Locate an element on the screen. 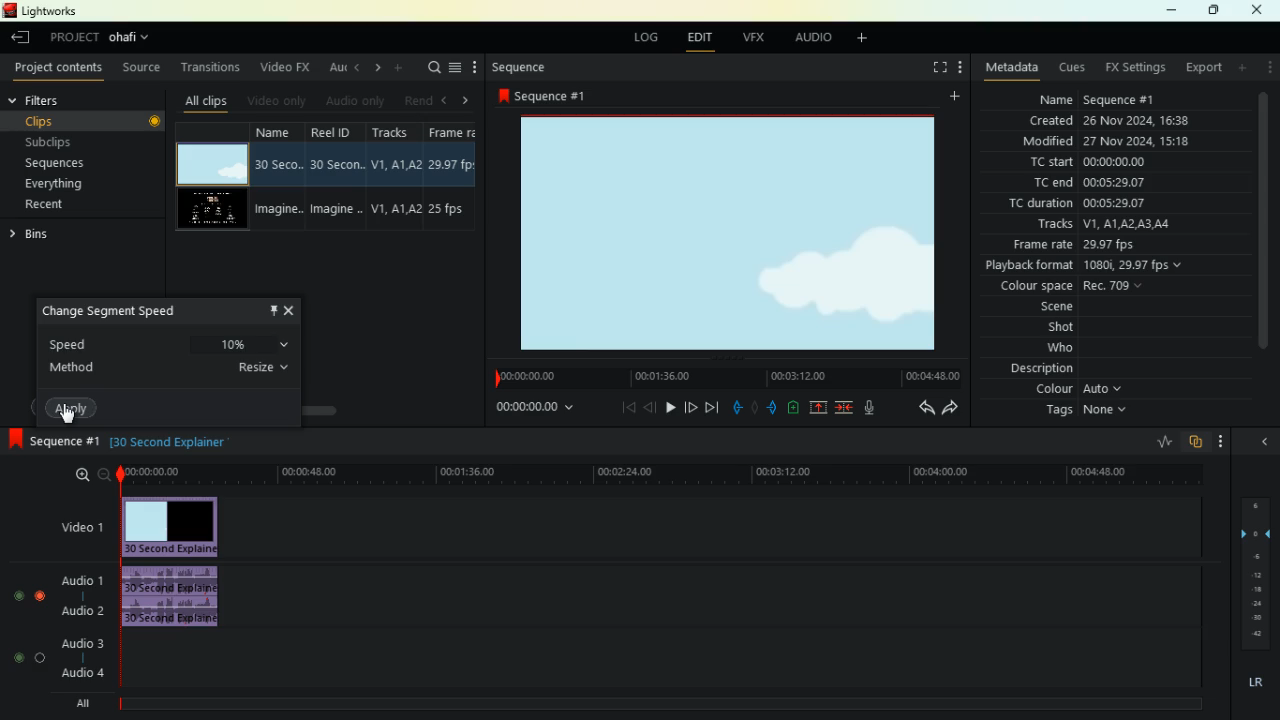 This screenshot has height=720, width=1280. left is located at coordinates (446, 100).